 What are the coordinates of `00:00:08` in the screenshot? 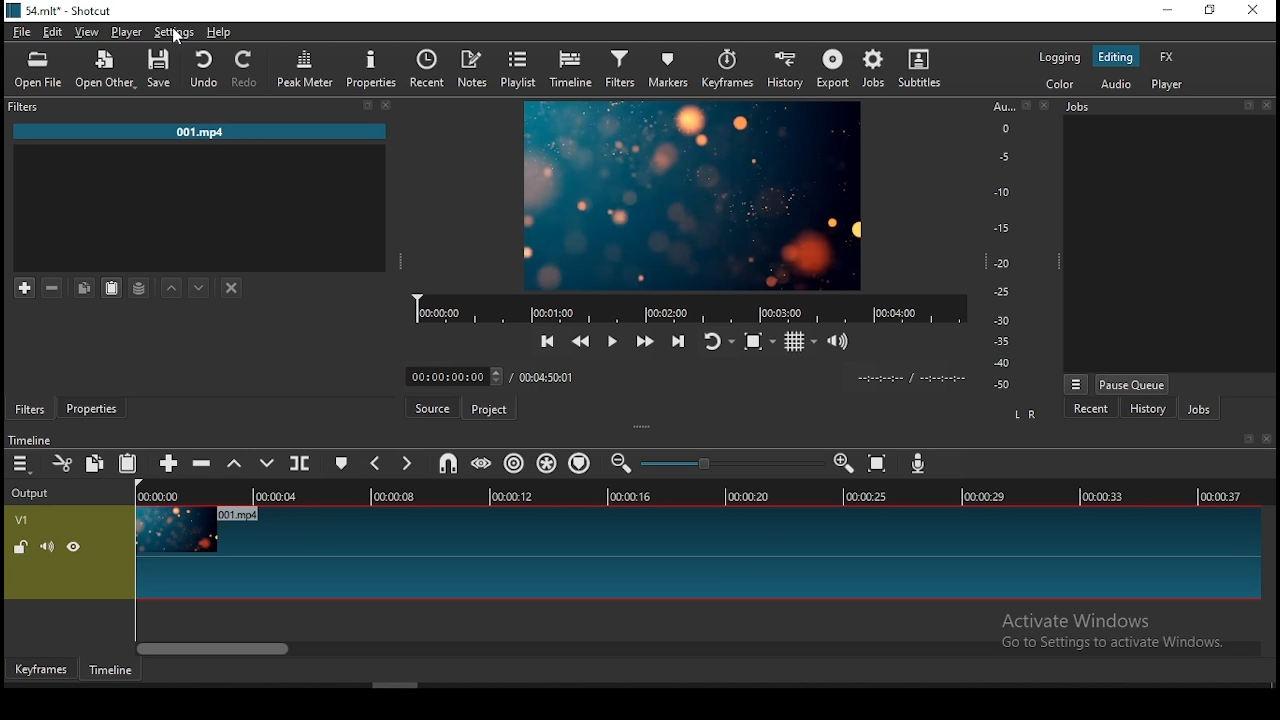 It's located at (402, 497).